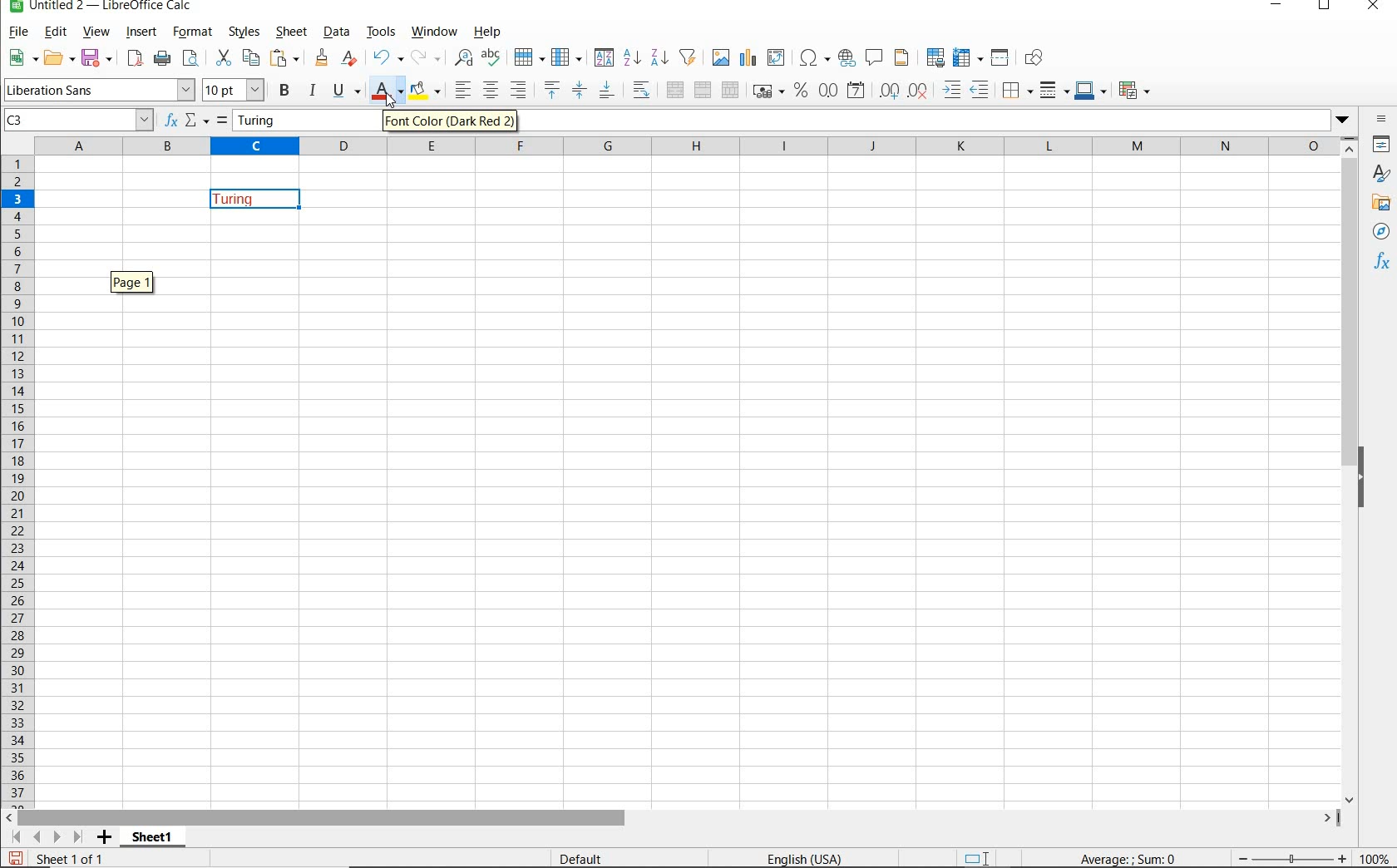 The image size is (1397, 868). Describe the element at coordinates (1365, 480) in the screenshot. I see `HIDE` at that location.